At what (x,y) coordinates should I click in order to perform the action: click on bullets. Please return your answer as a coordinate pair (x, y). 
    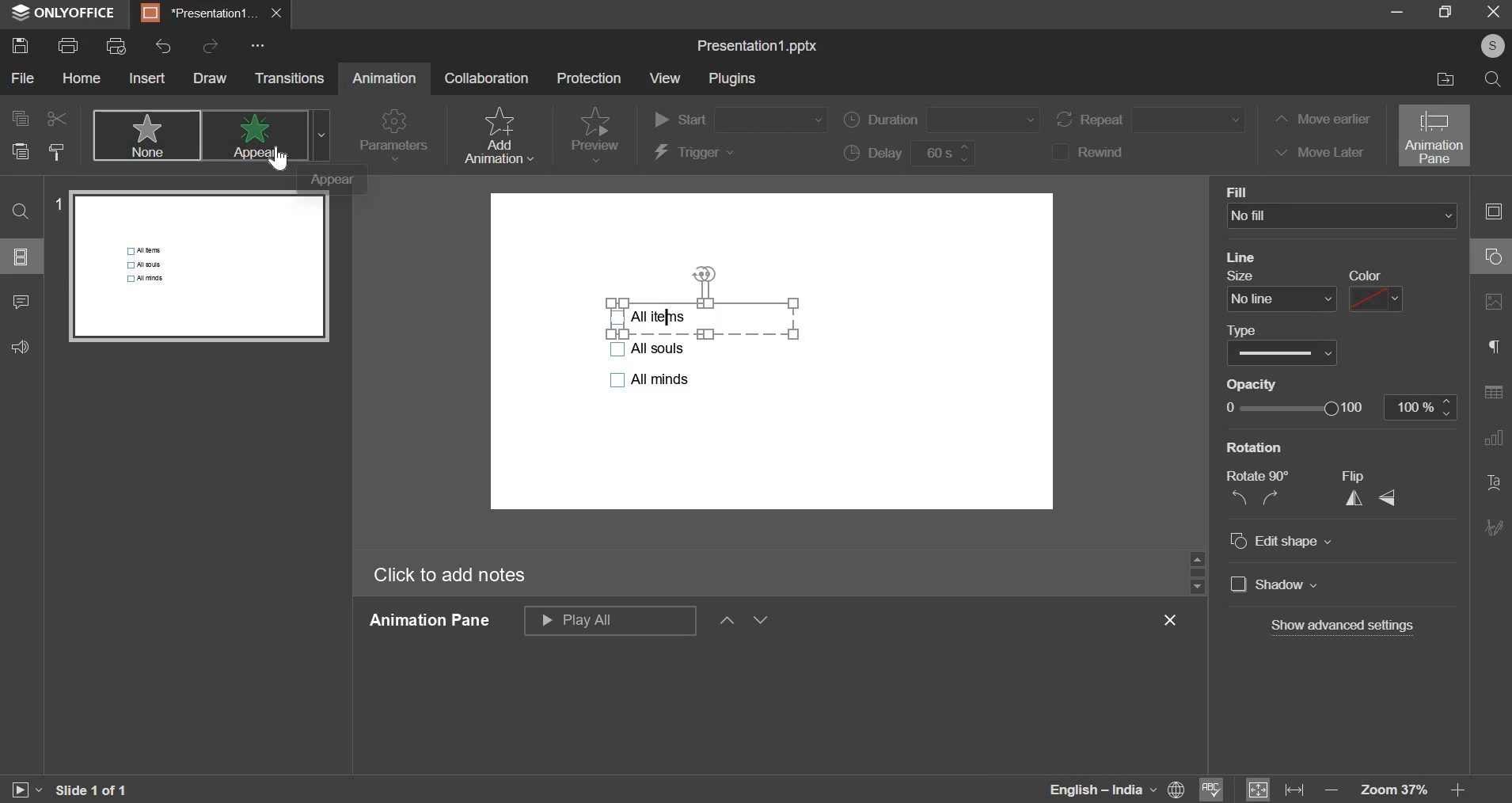
    Looking at the image, I should click on (706, 325).